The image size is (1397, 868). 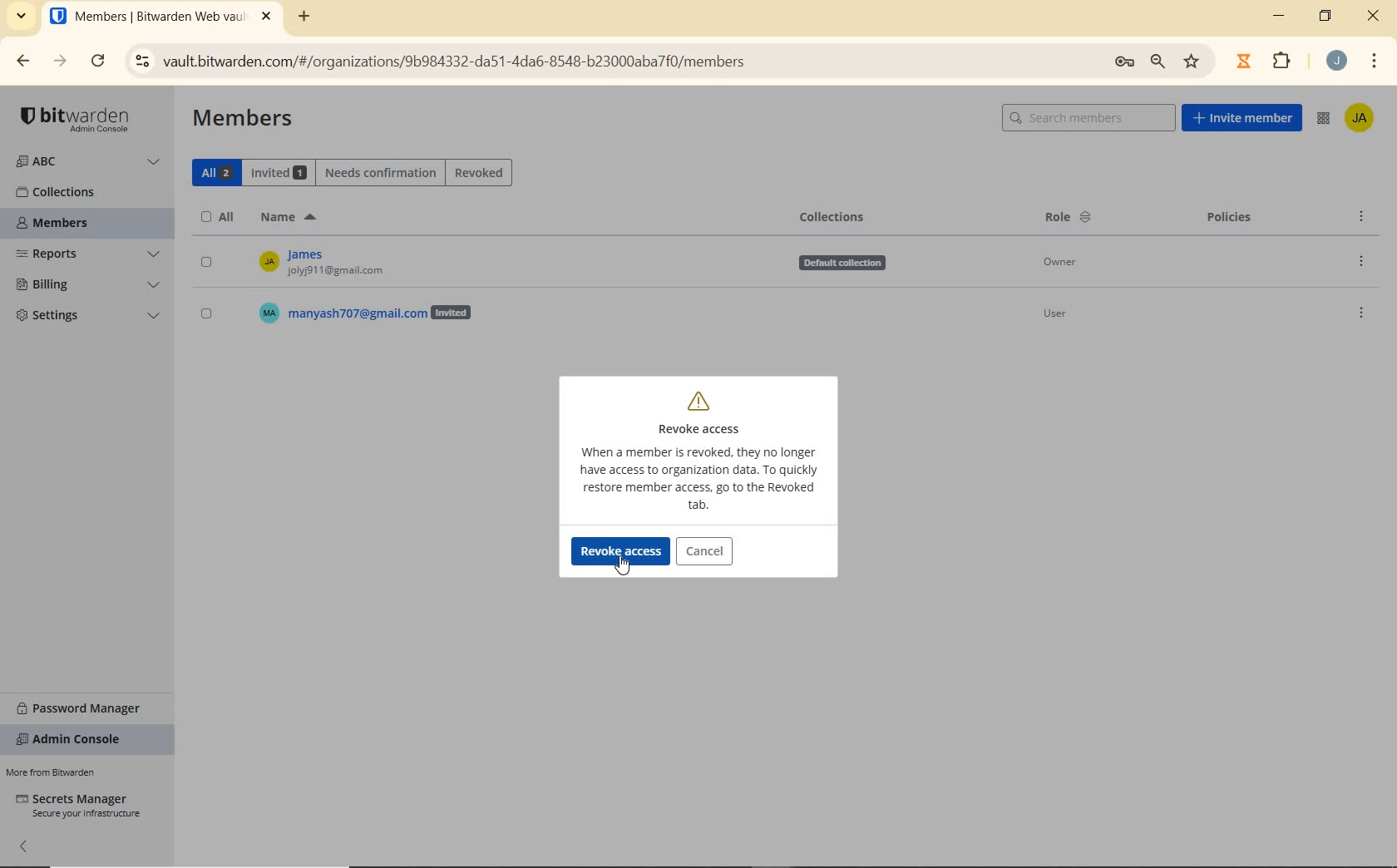 What do you see at coordinates (90, 162) in the screenshot?
I see `ORGANIZATION NAME` at bounding box center [90, 162].